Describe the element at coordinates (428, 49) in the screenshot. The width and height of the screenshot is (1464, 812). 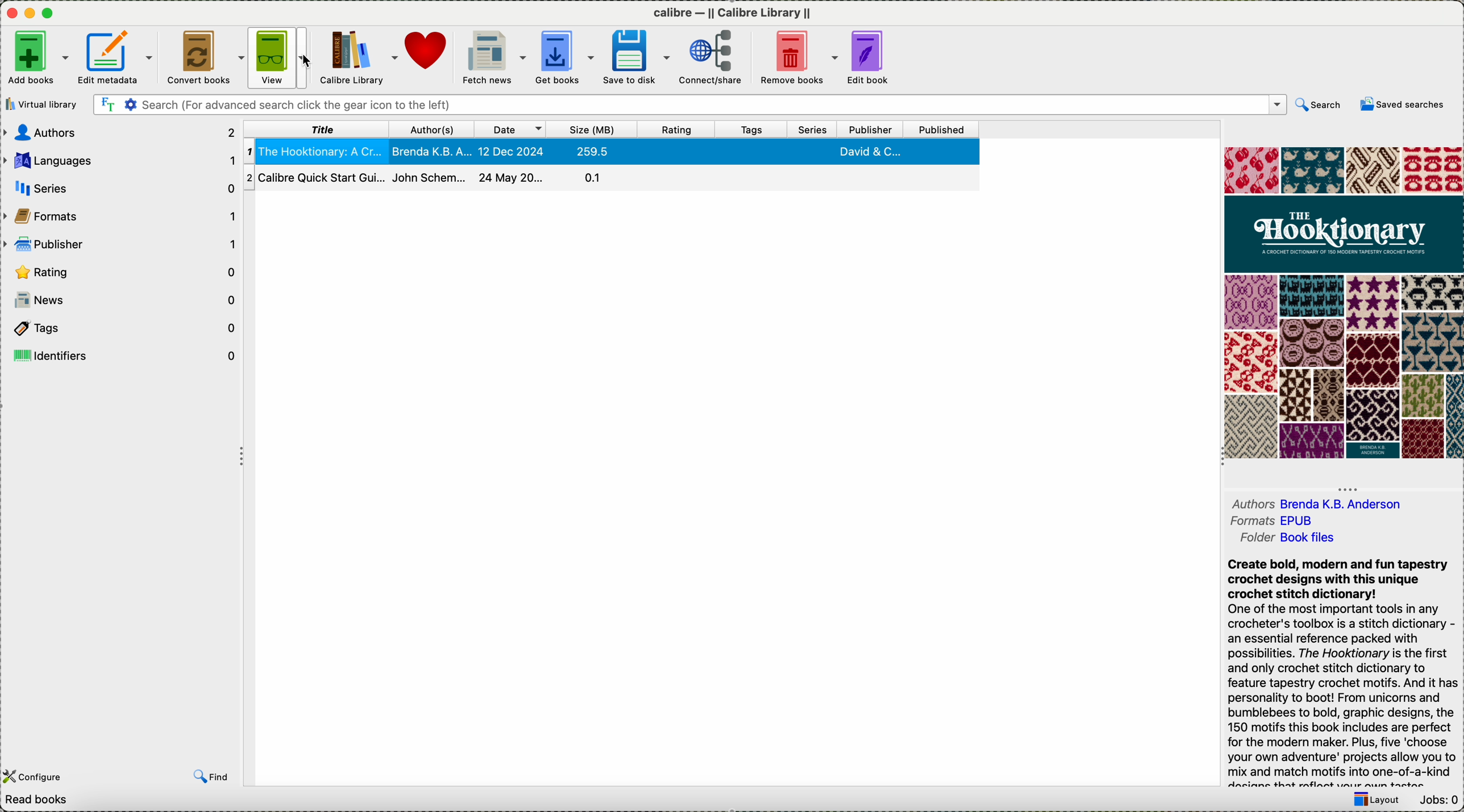
I see `donate` at that location.